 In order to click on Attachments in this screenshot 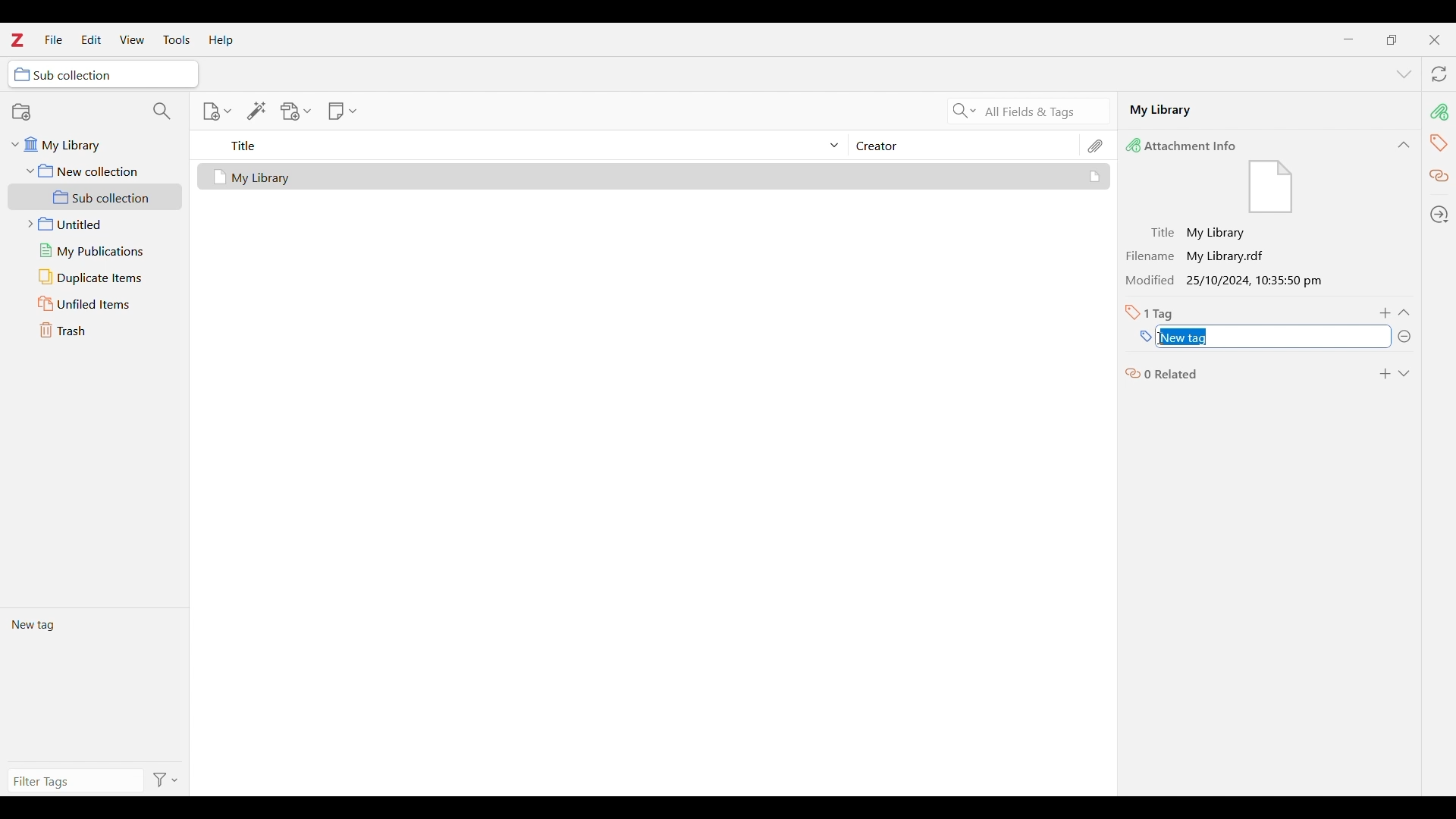, I will do `click(1097, 146)`.